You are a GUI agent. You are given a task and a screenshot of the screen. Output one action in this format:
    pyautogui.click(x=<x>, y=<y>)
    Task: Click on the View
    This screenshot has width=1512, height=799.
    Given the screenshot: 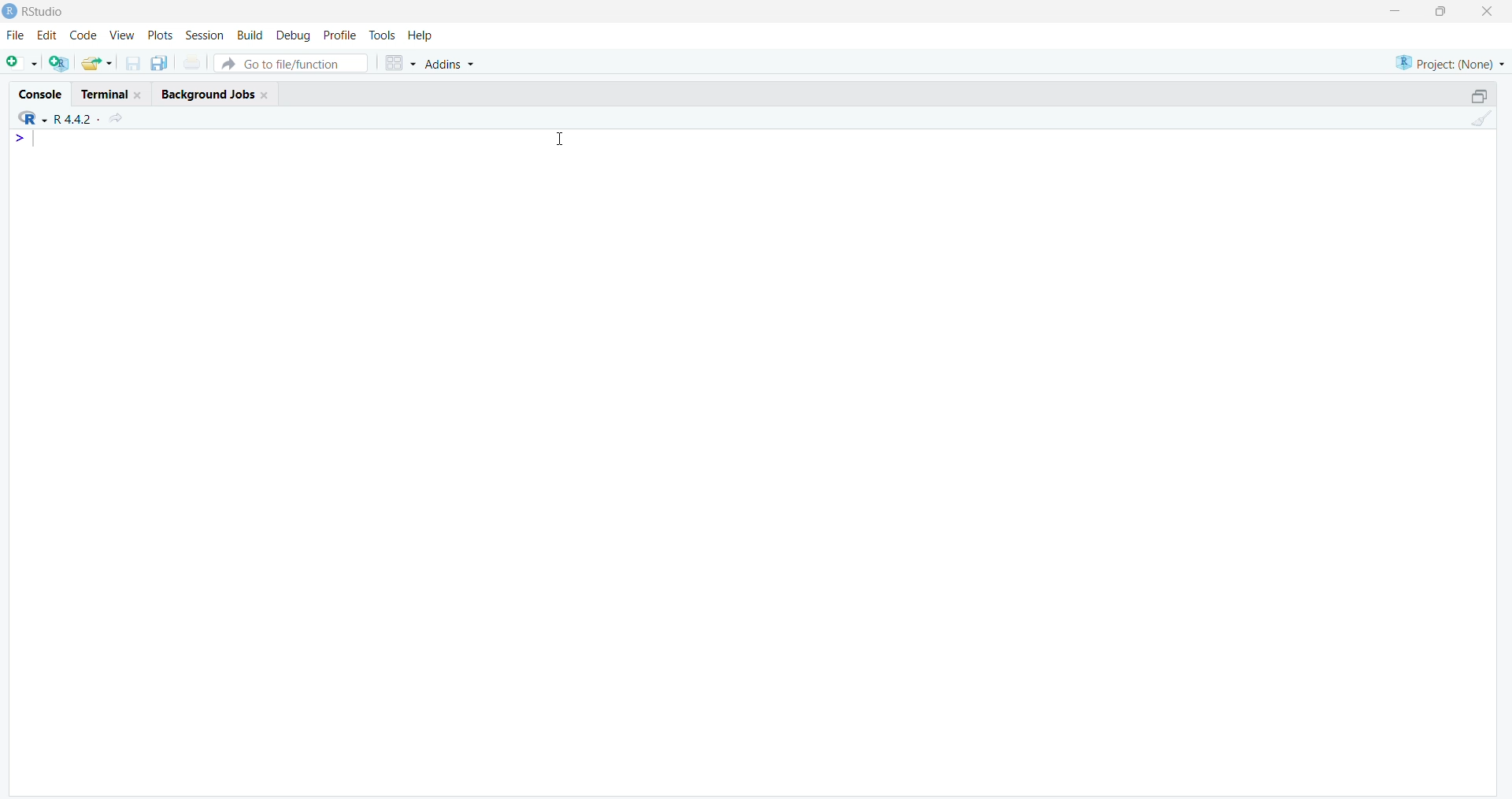 What is the action you would take?
    pyautogui.click(x=121, y=37)
    